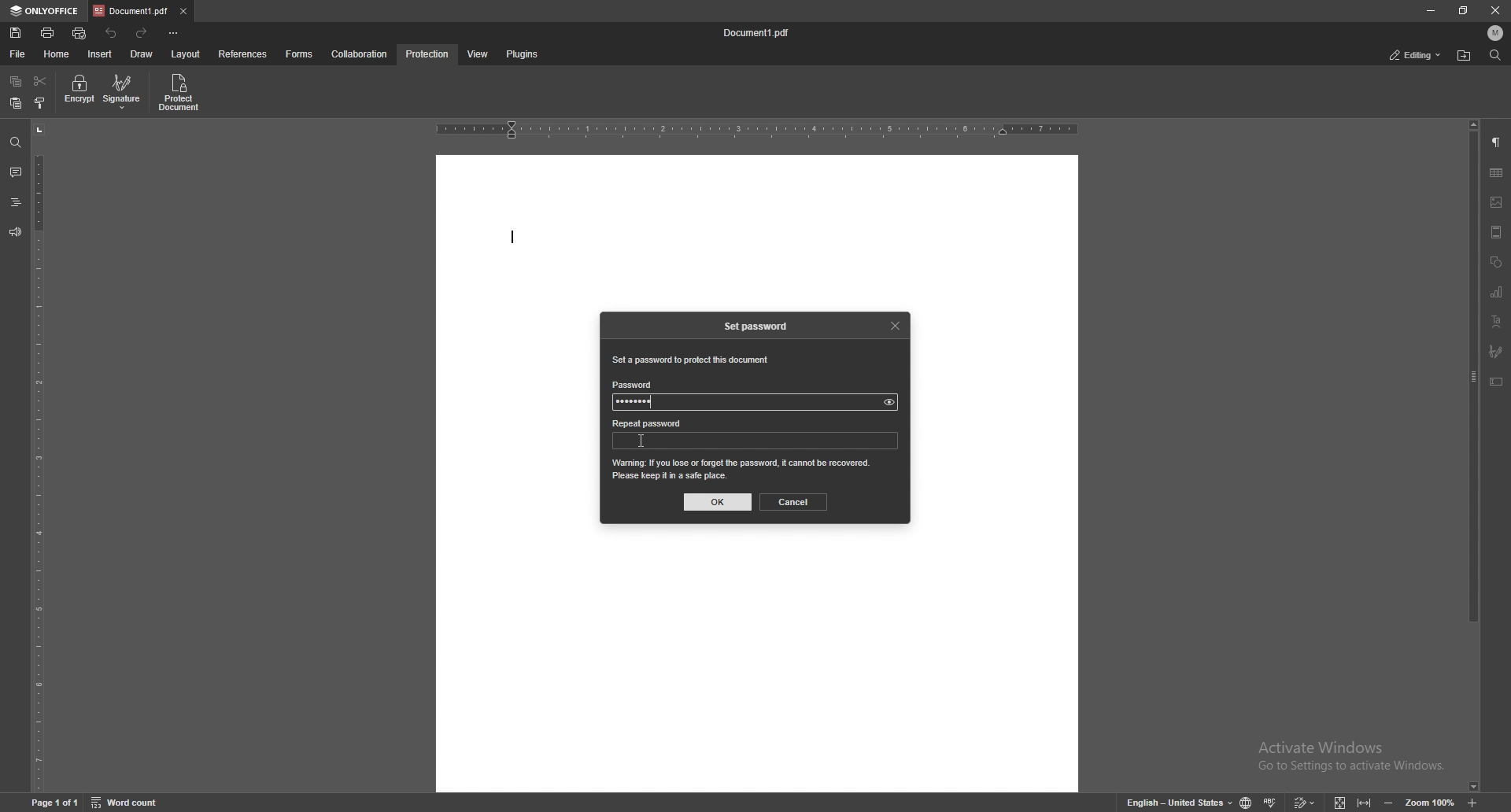 The image size is (1511, 812). What do you see at coordinates (1495, 12) in the screenshot?
I see `close` at bounding box center [1495, 12].